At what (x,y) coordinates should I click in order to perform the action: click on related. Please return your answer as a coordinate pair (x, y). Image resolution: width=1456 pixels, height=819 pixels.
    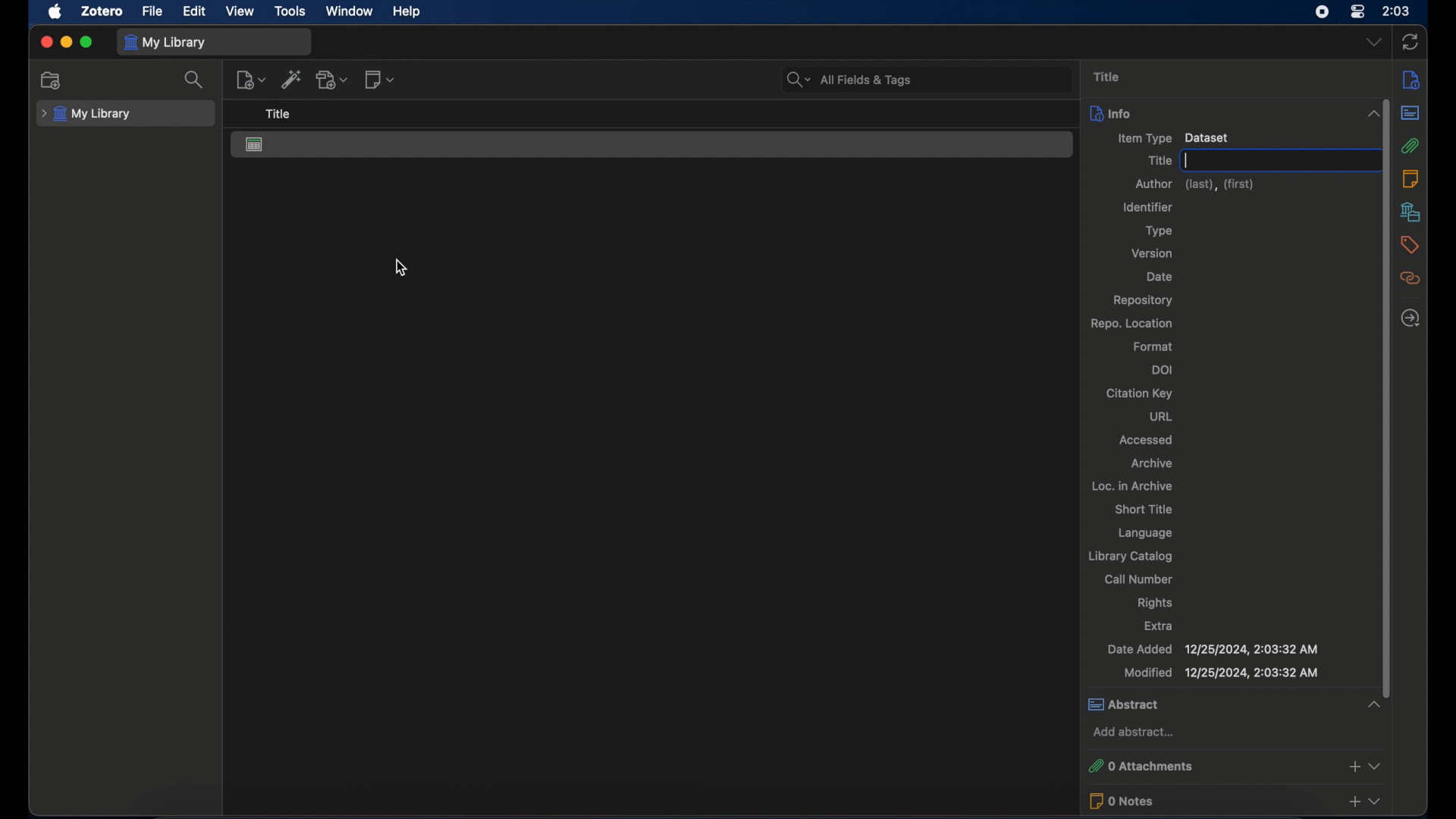
    Looking at the image, I should click on (1410, 278).